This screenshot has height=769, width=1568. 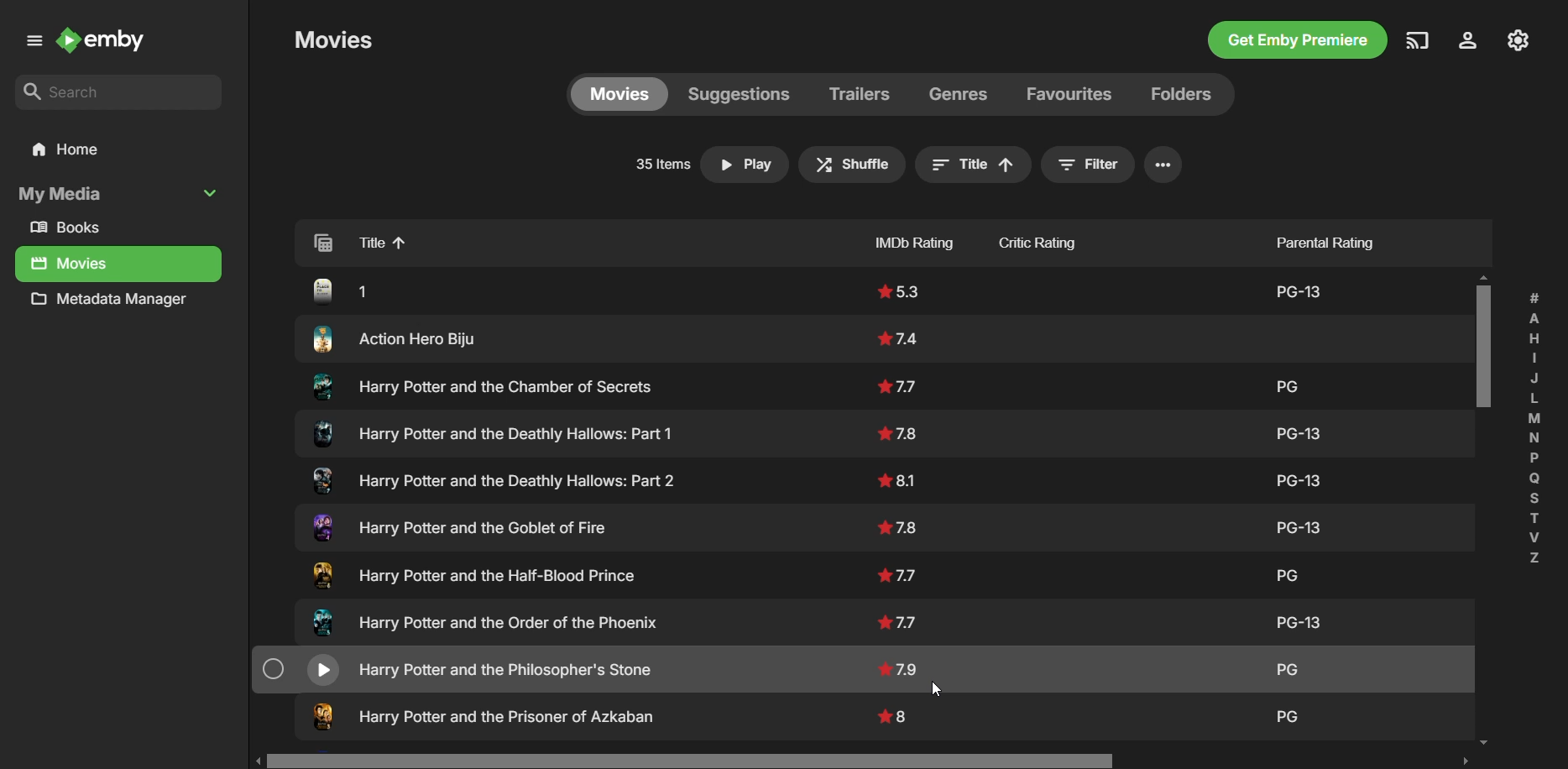 What do you see at coordinates (1166, 165) in the screenshot?
I see `Settings` at bounding box center [1166, 165].